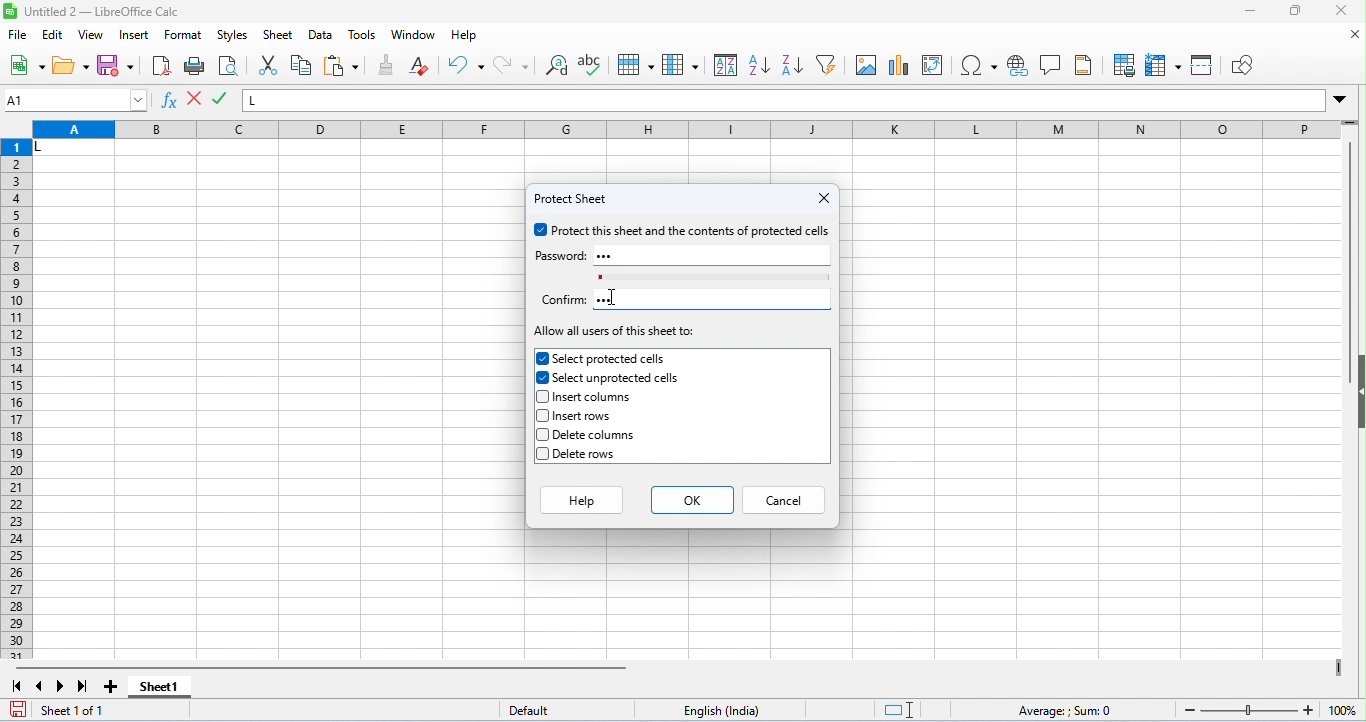 The height and width of the screenshot is (722, 1366). What do you see at coordinates (271, 65) in the screenshot?
I see `cut` at bounding box center [271, 65].